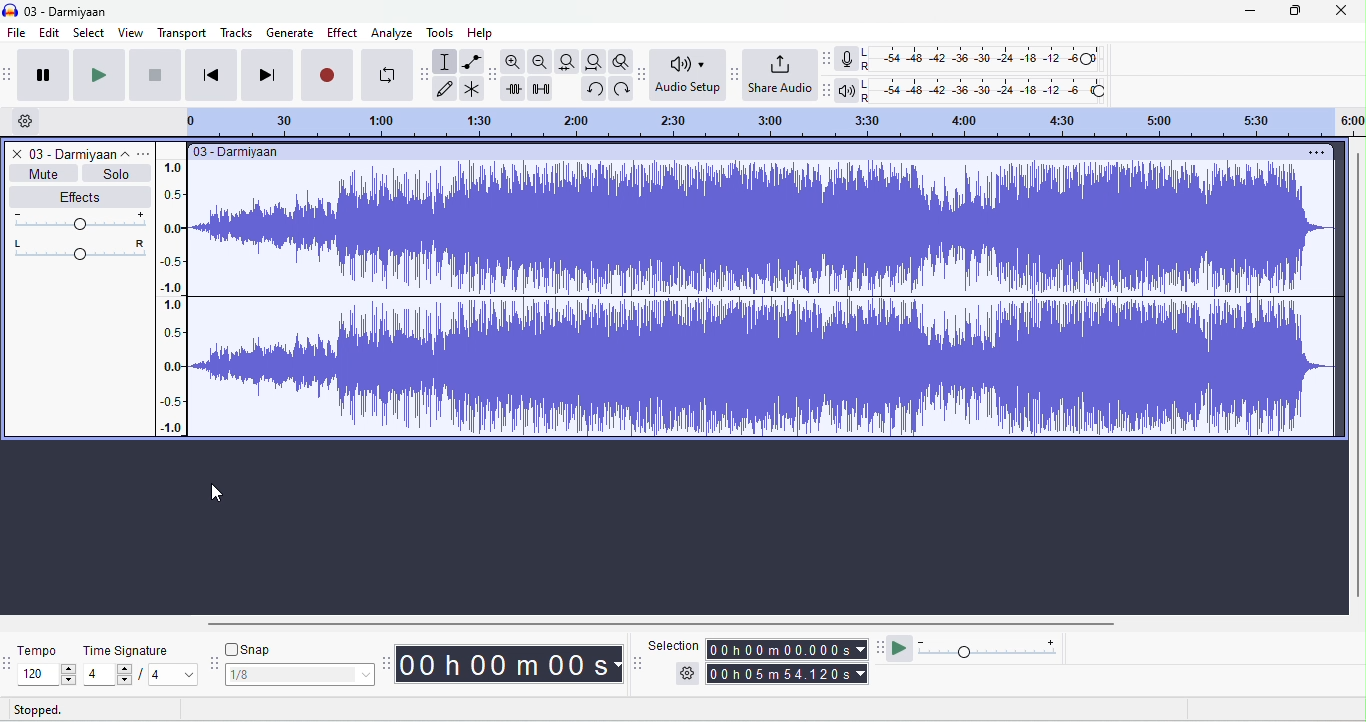  I want to click on generate, so click(288, 32).